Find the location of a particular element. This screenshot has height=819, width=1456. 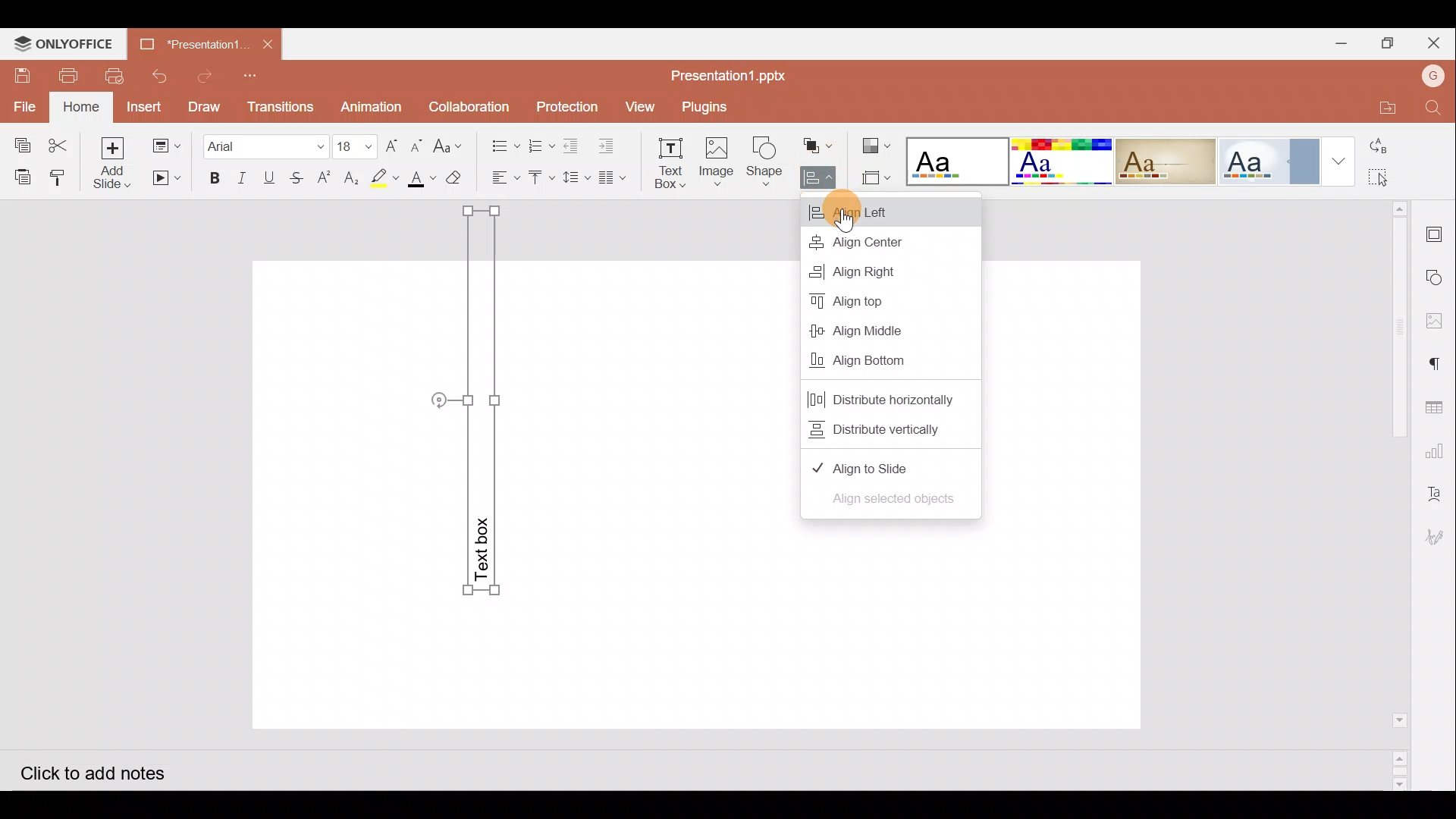

Align right is located at coordinates (874, 272).